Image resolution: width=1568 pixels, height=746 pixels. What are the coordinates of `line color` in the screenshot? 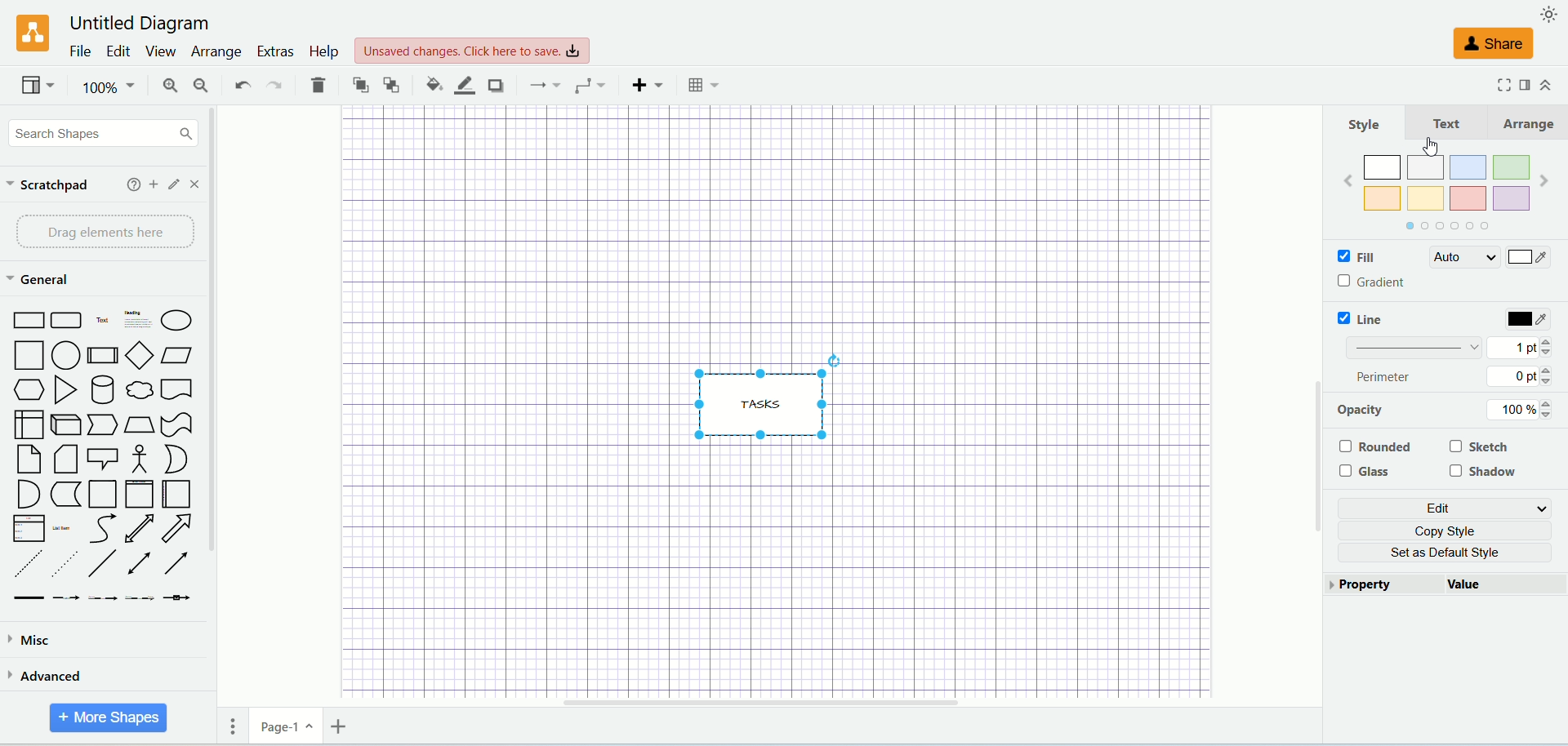 It's located at (459, 84).